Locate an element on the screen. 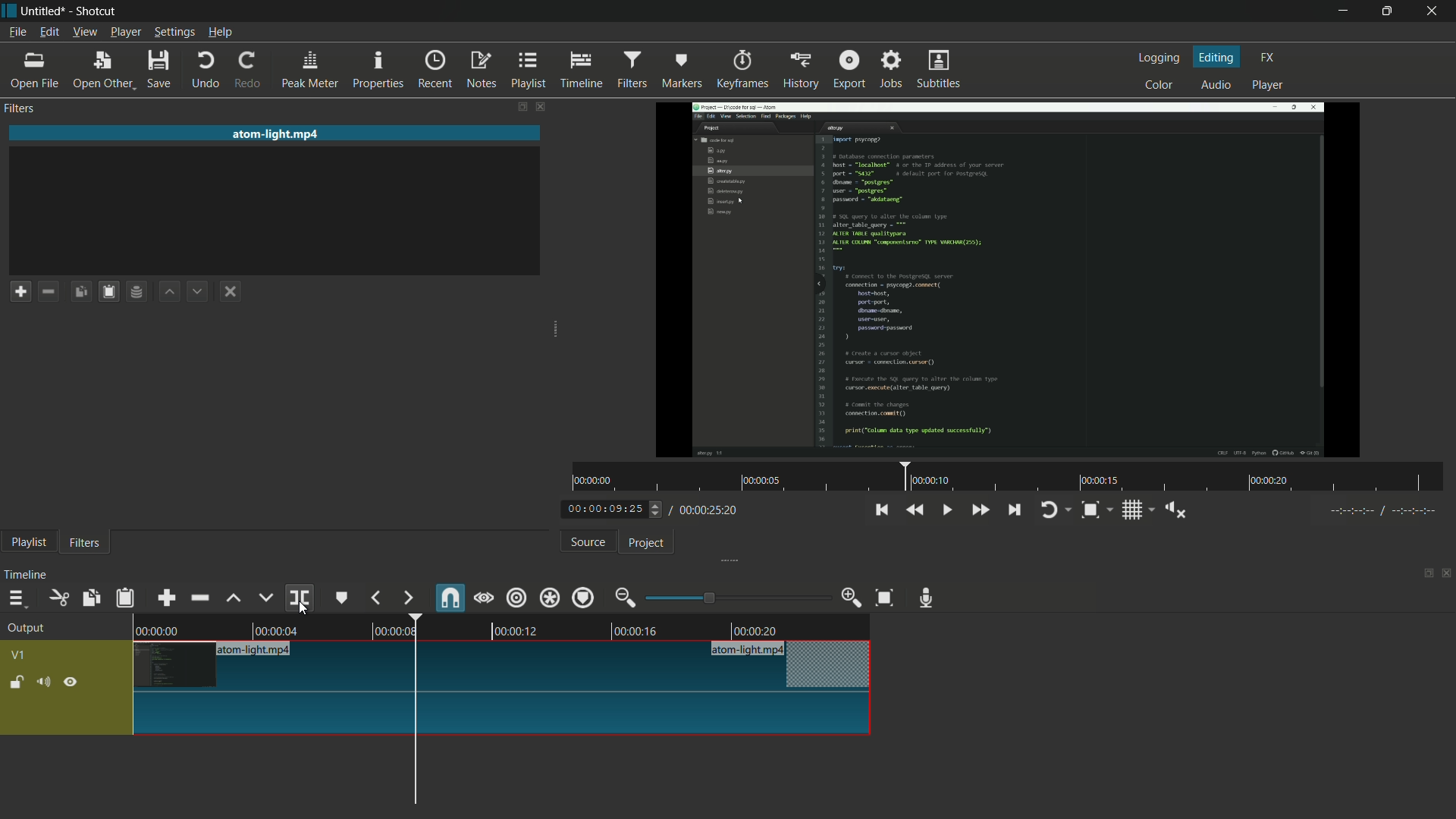 This screenshot has width=1456, height=819. move filter up is located at coordinates (171, 293).